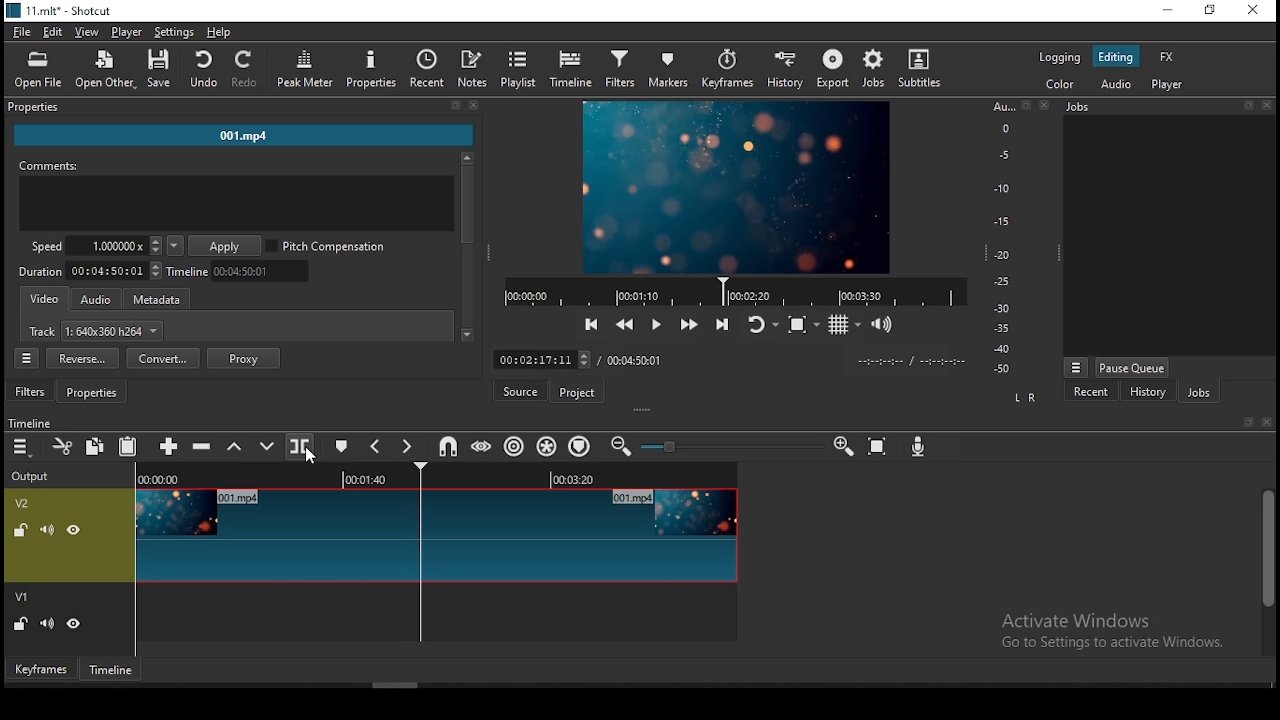 This screenshot has height=720, width=1280. I want to click on Zoom slider, so click(729, 446).